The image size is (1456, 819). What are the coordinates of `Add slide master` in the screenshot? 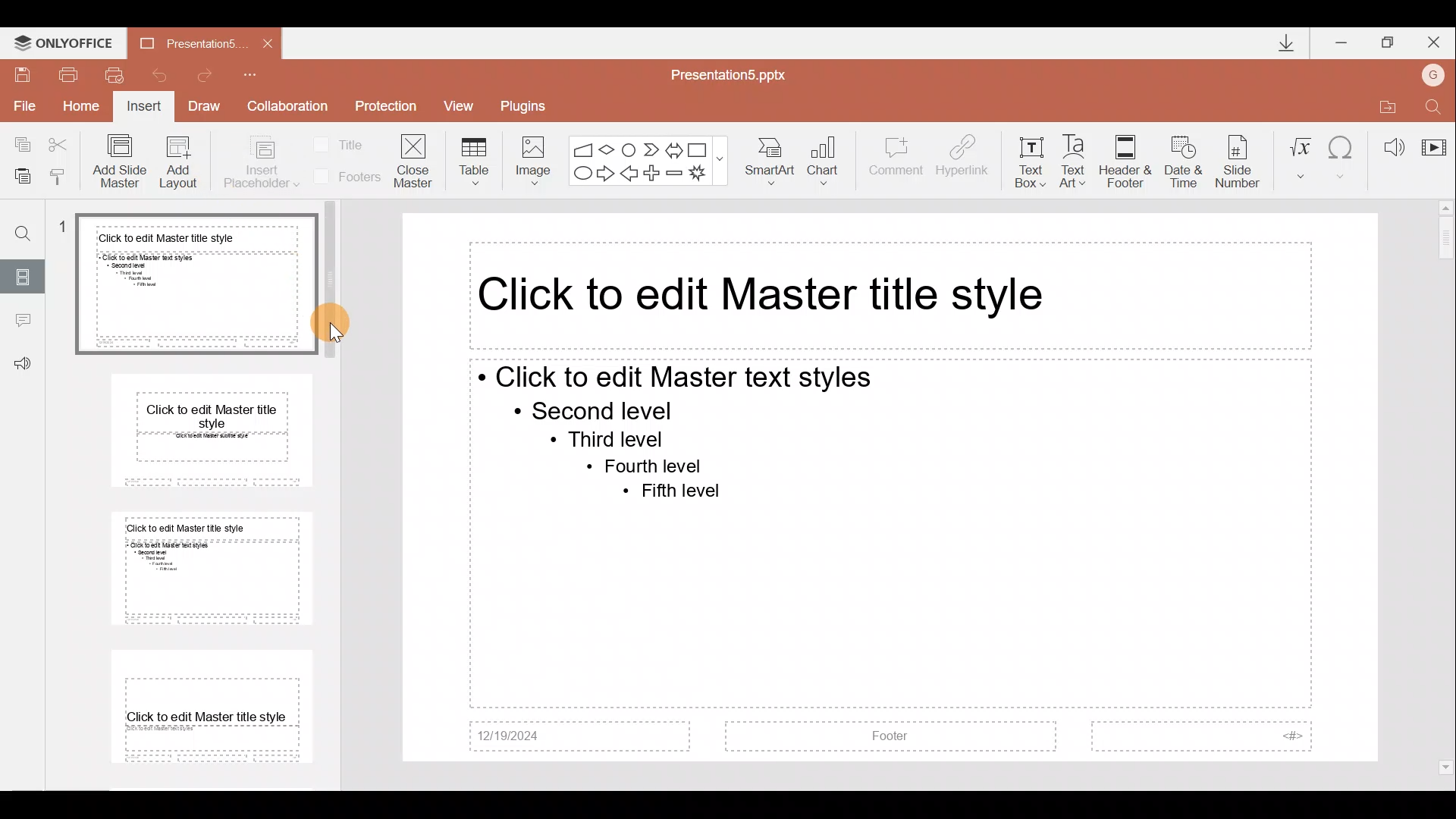 It's located at (123, 162).